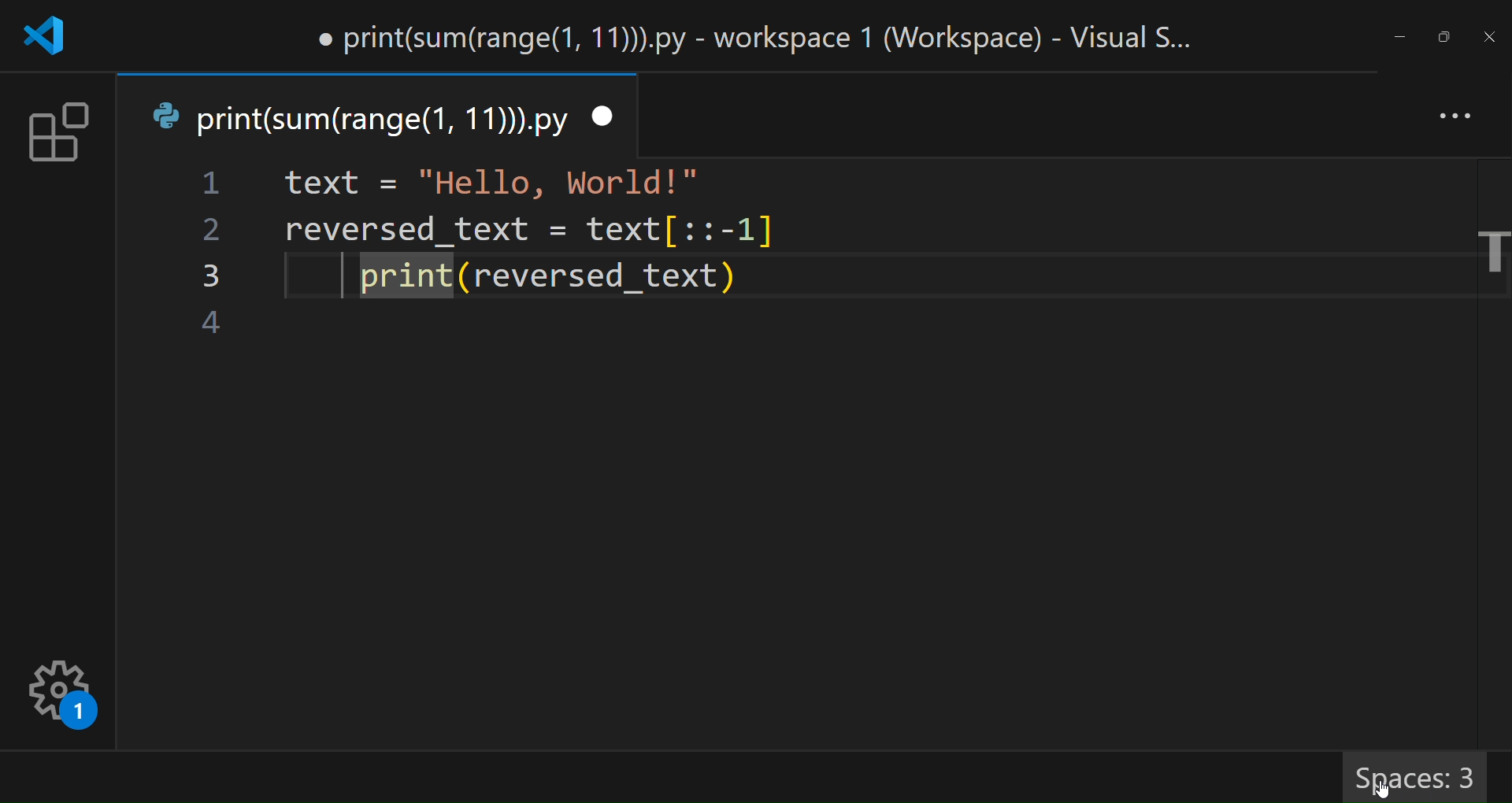 This screenshot has width=1512, height=803. What do you see at coordinates (1491, 413) in the screenshot?
I see `scroll bar` at bounding box center [1491, 413].